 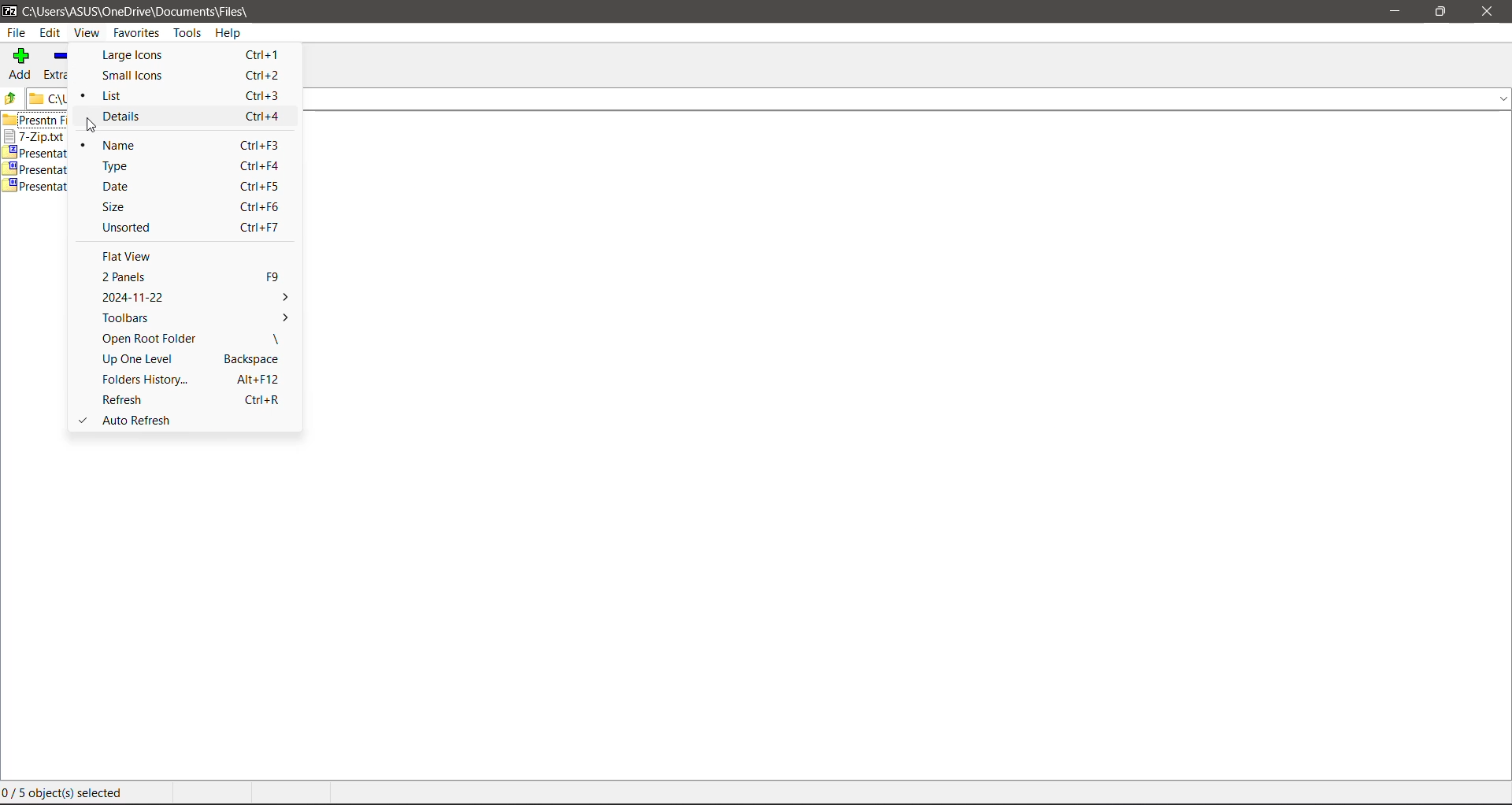 I want to click on 7-Zip.txt, so click(x=42, y=138).